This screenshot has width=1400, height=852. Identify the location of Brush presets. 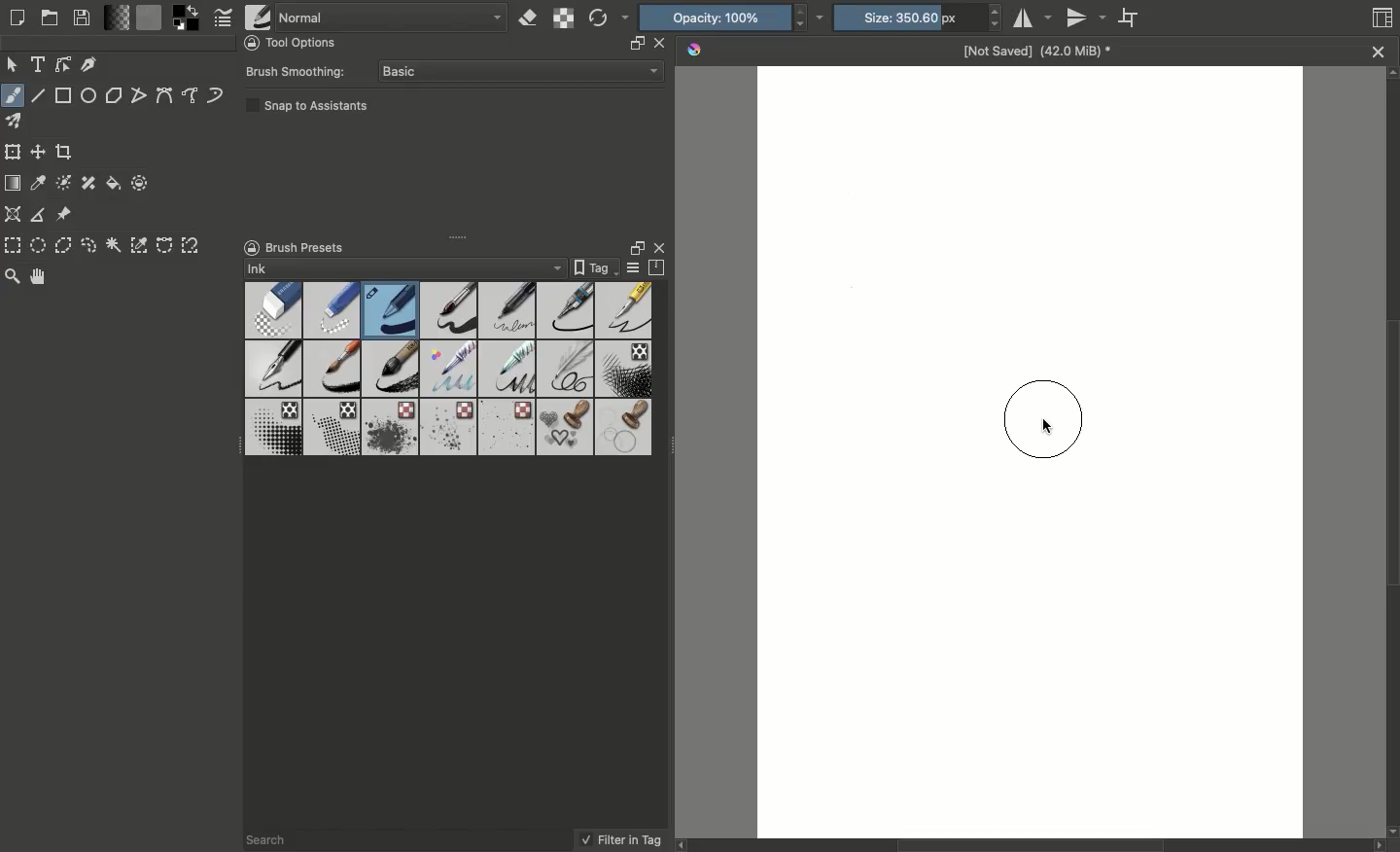
(319, 246).